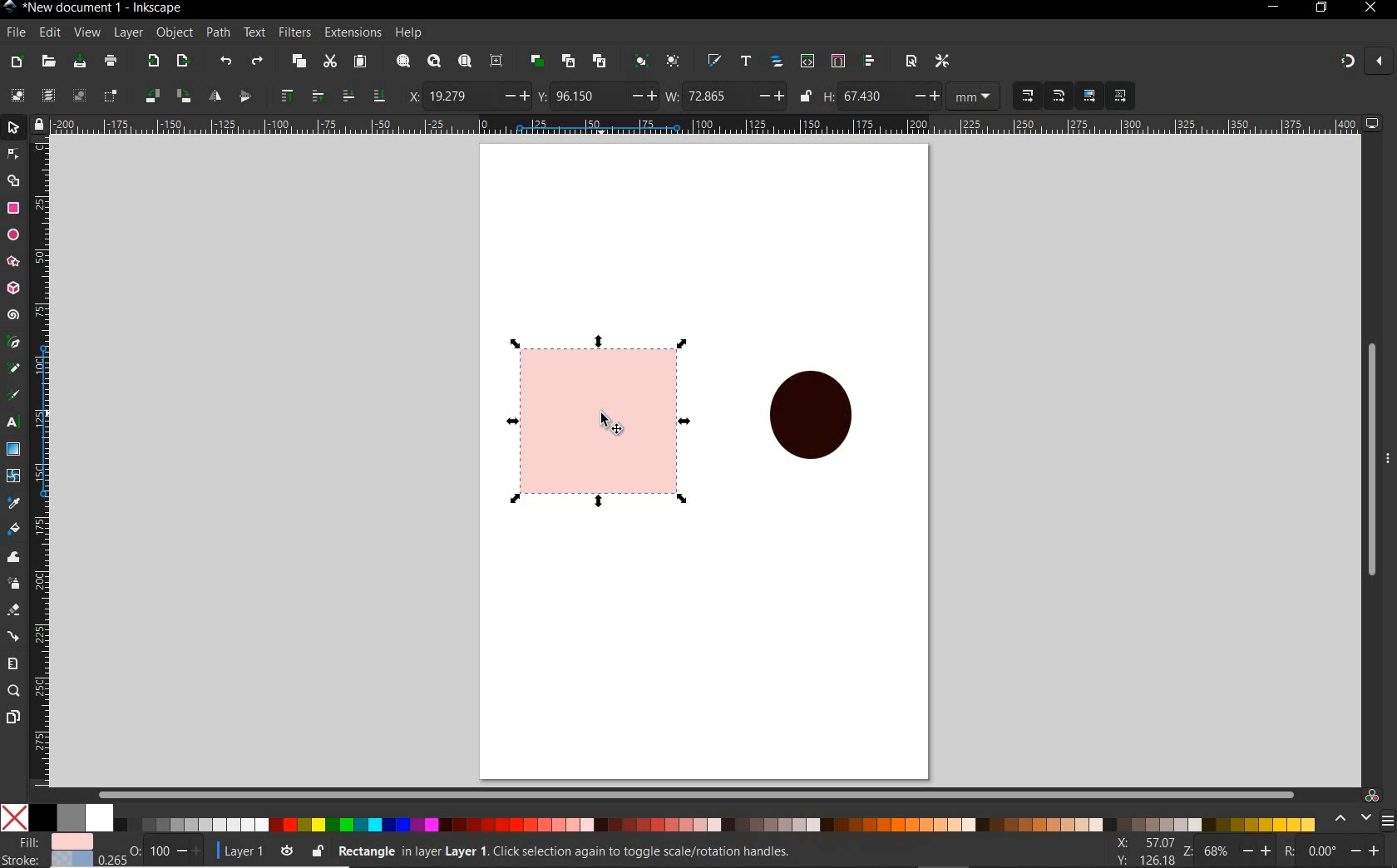 The image size is (1397, 868). Describe the element at coordinates (913, 62) in the screenshot. I see `open document proper` at that location.